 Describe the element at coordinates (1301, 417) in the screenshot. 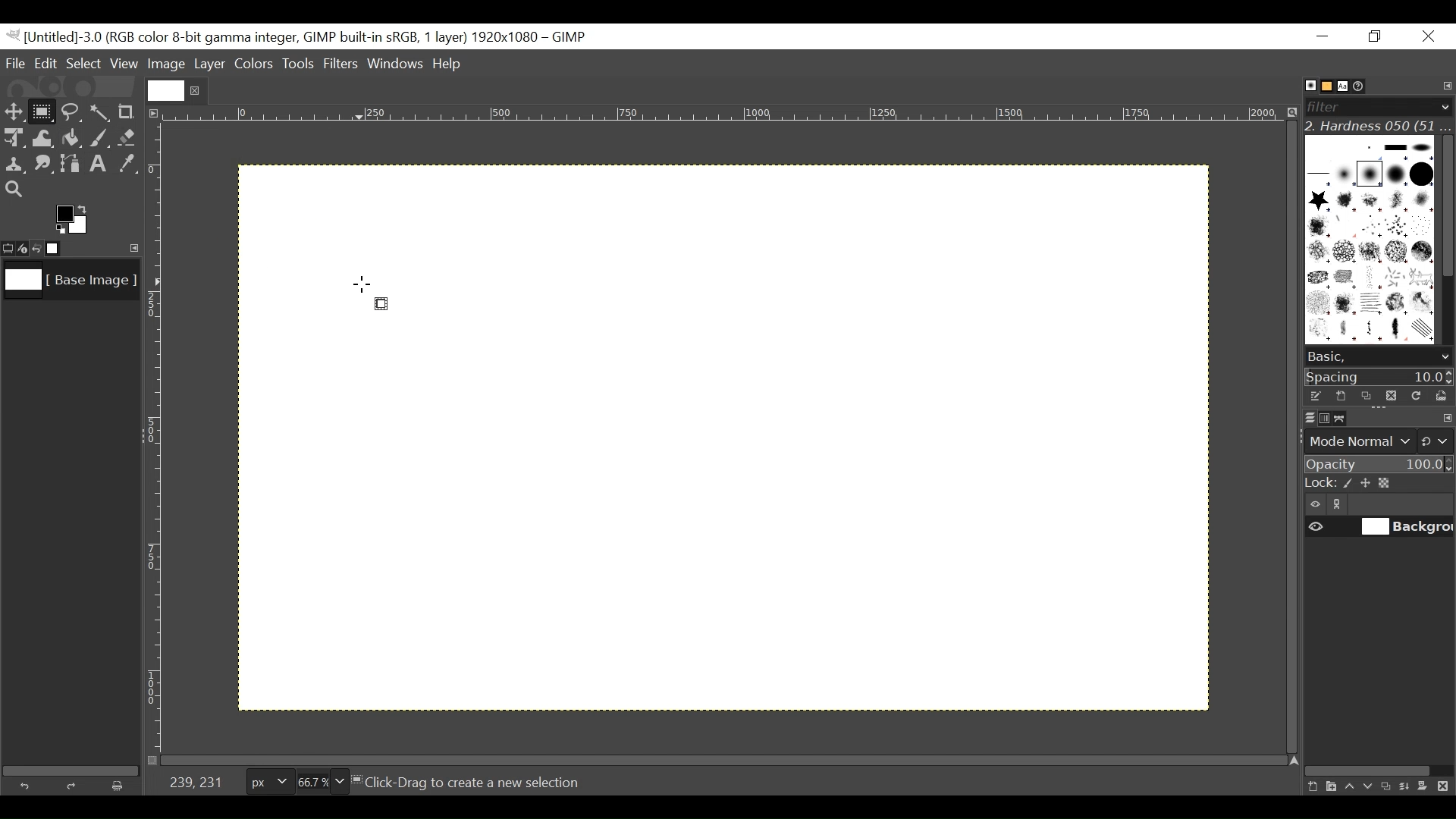

I see `Layers` at that location.